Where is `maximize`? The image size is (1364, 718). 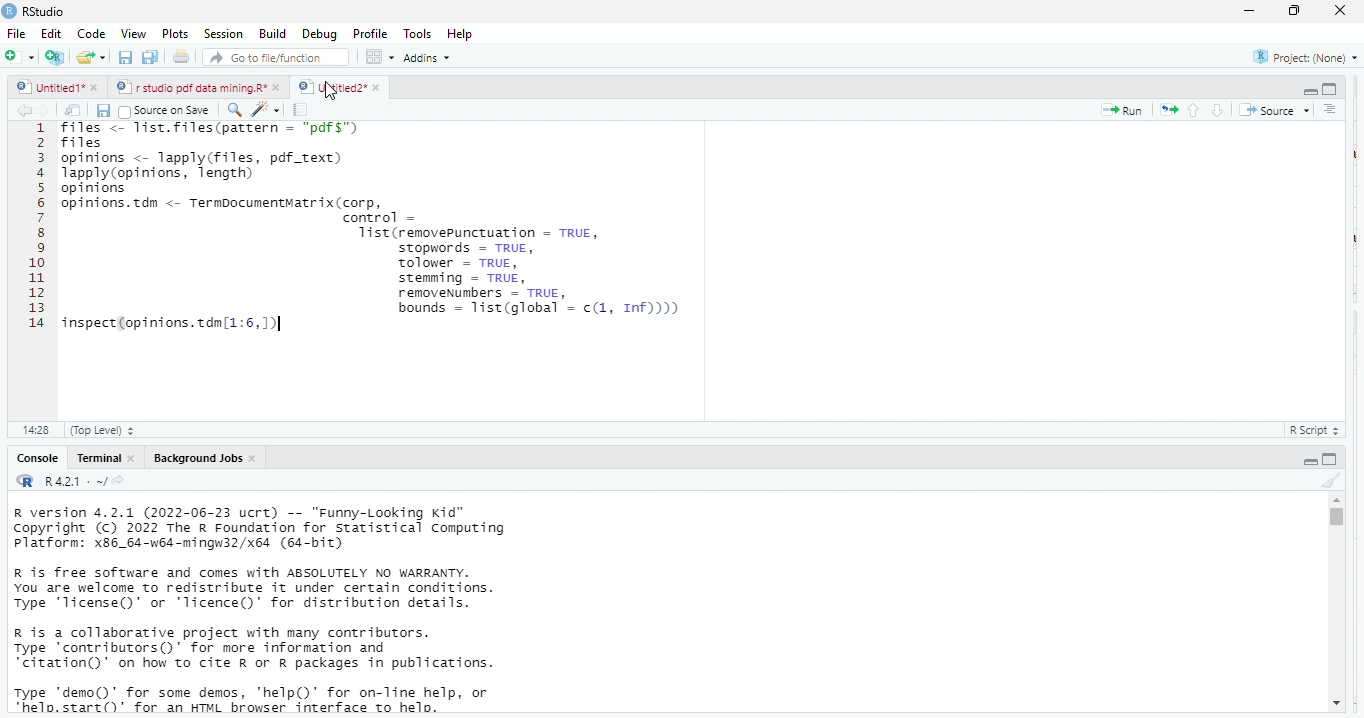
maximize is located at coordinates (1297, 12).